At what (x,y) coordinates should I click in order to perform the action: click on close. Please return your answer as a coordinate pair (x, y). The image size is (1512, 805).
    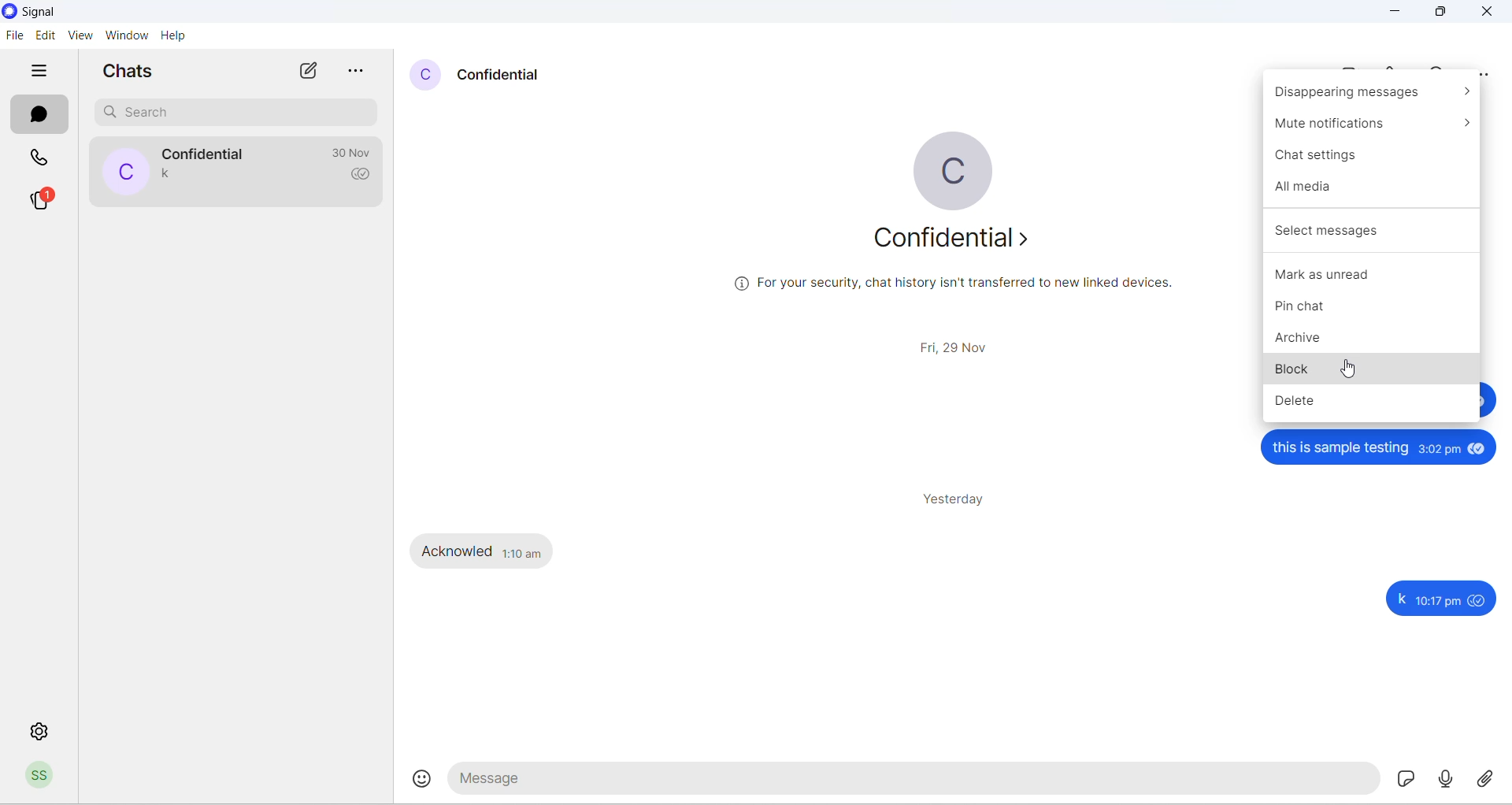
    Looking at the image, I should click on (1492, 13).